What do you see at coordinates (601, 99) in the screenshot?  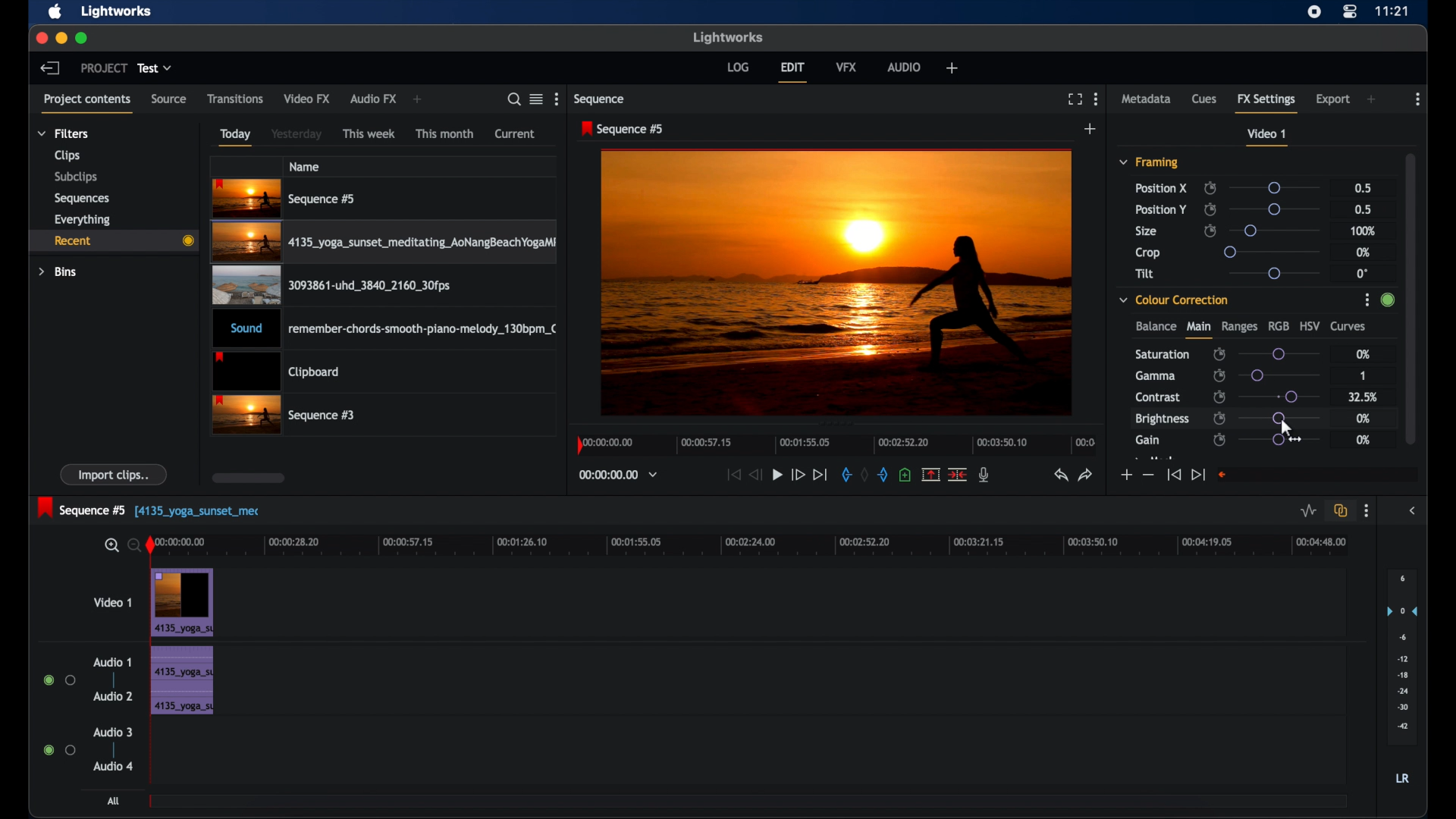 I see `sequence` at bounding box center [601, 99].